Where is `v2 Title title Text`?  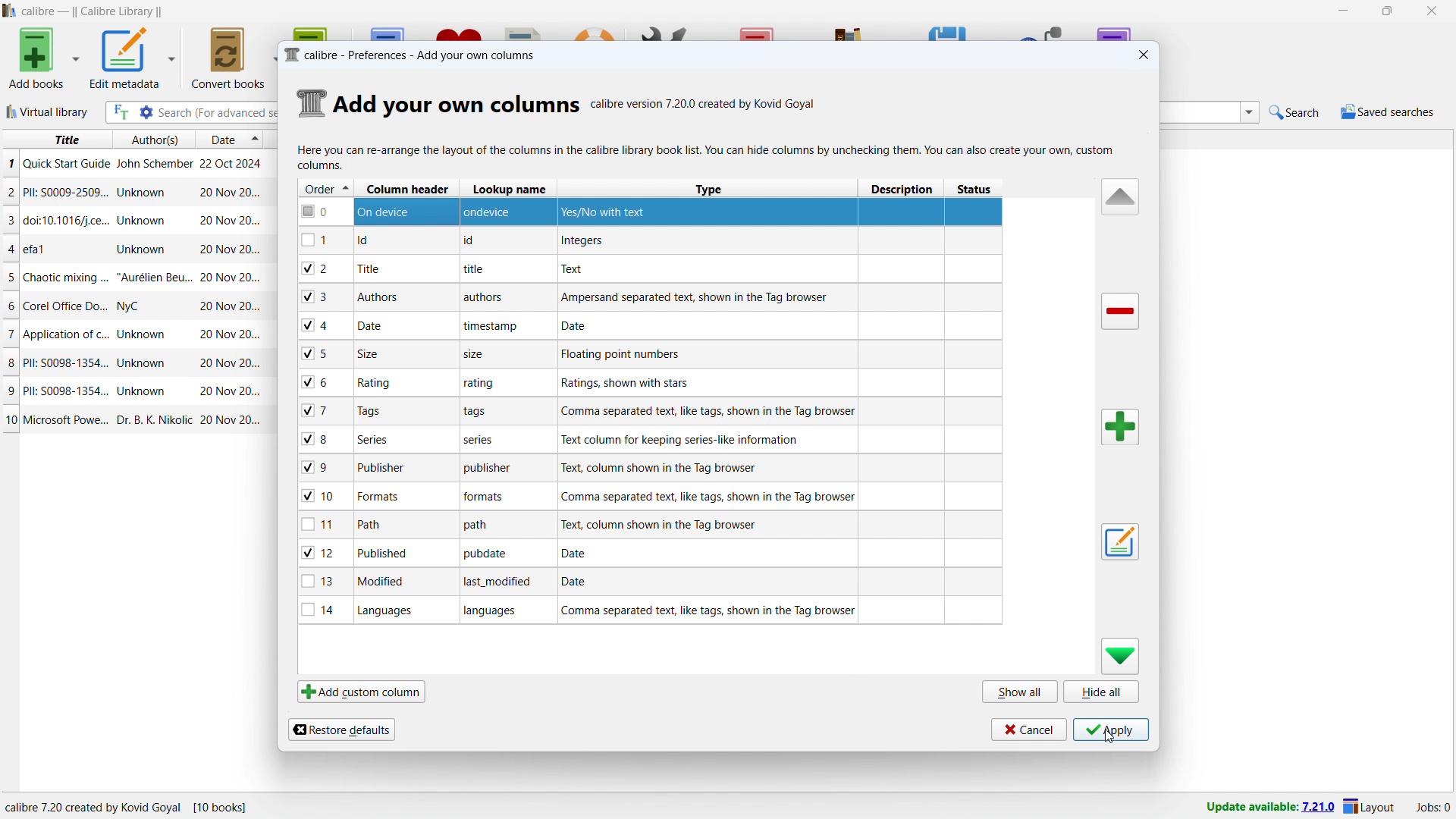 v2 Title title Text is located at coordinates (652, 268).